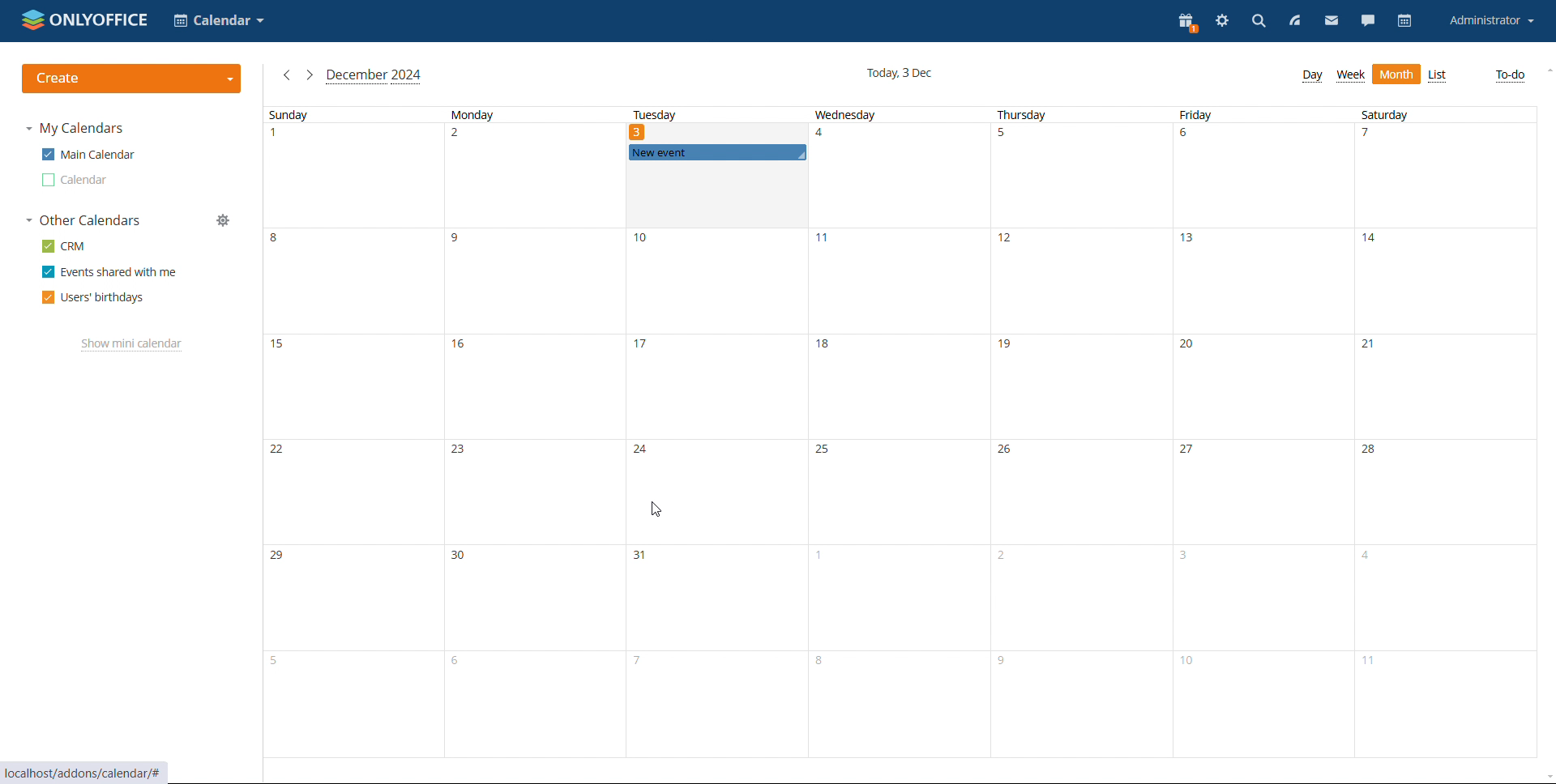 This screenshot has height=784, width=1556. What do you see at coordinates (353, 177) in the screenshot?
I see `date` at bounding box center [353, 177].